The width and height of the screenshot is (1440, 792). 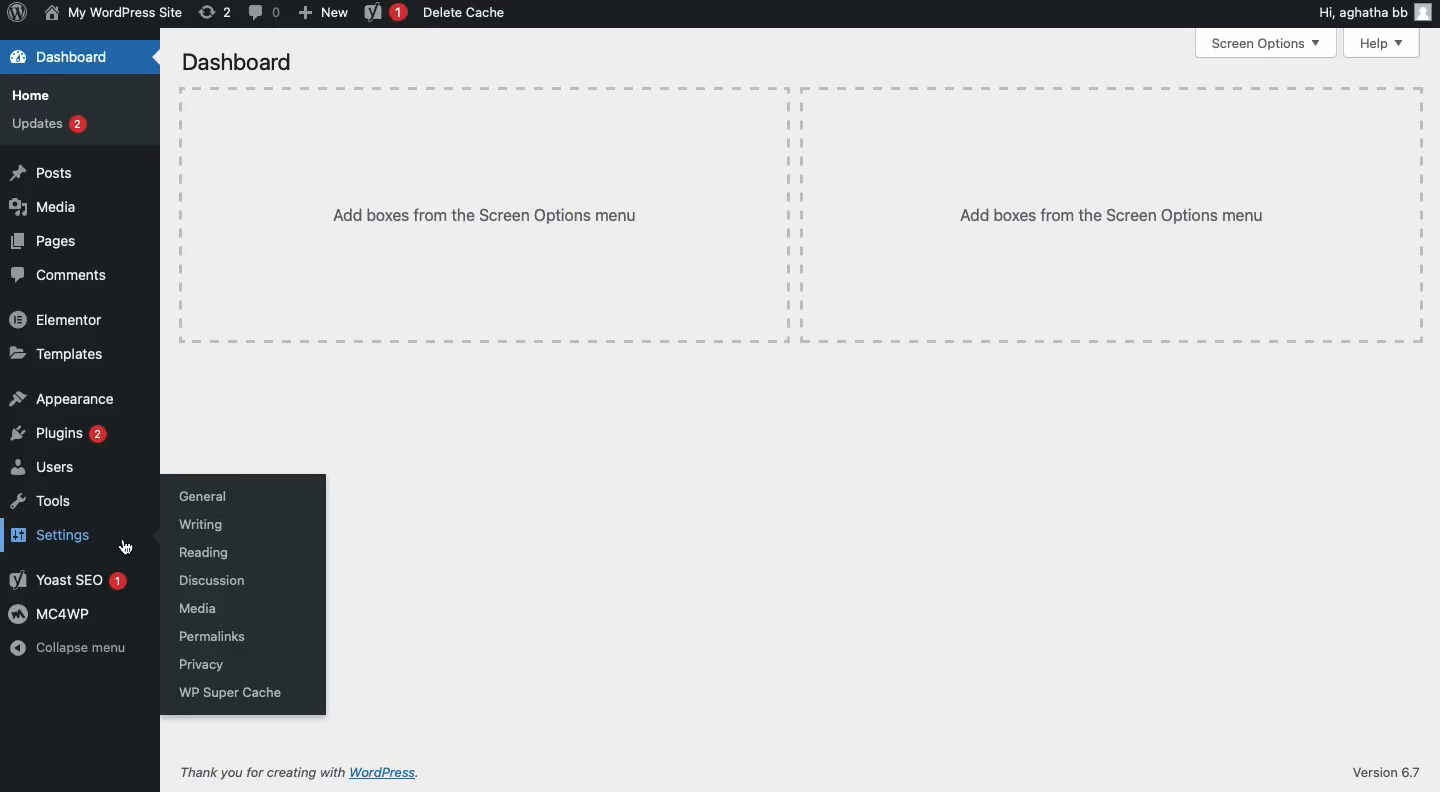 What do you see at coordinates (198, 497) in the screenshot?
I see `General` at bounding box center [198, 497].